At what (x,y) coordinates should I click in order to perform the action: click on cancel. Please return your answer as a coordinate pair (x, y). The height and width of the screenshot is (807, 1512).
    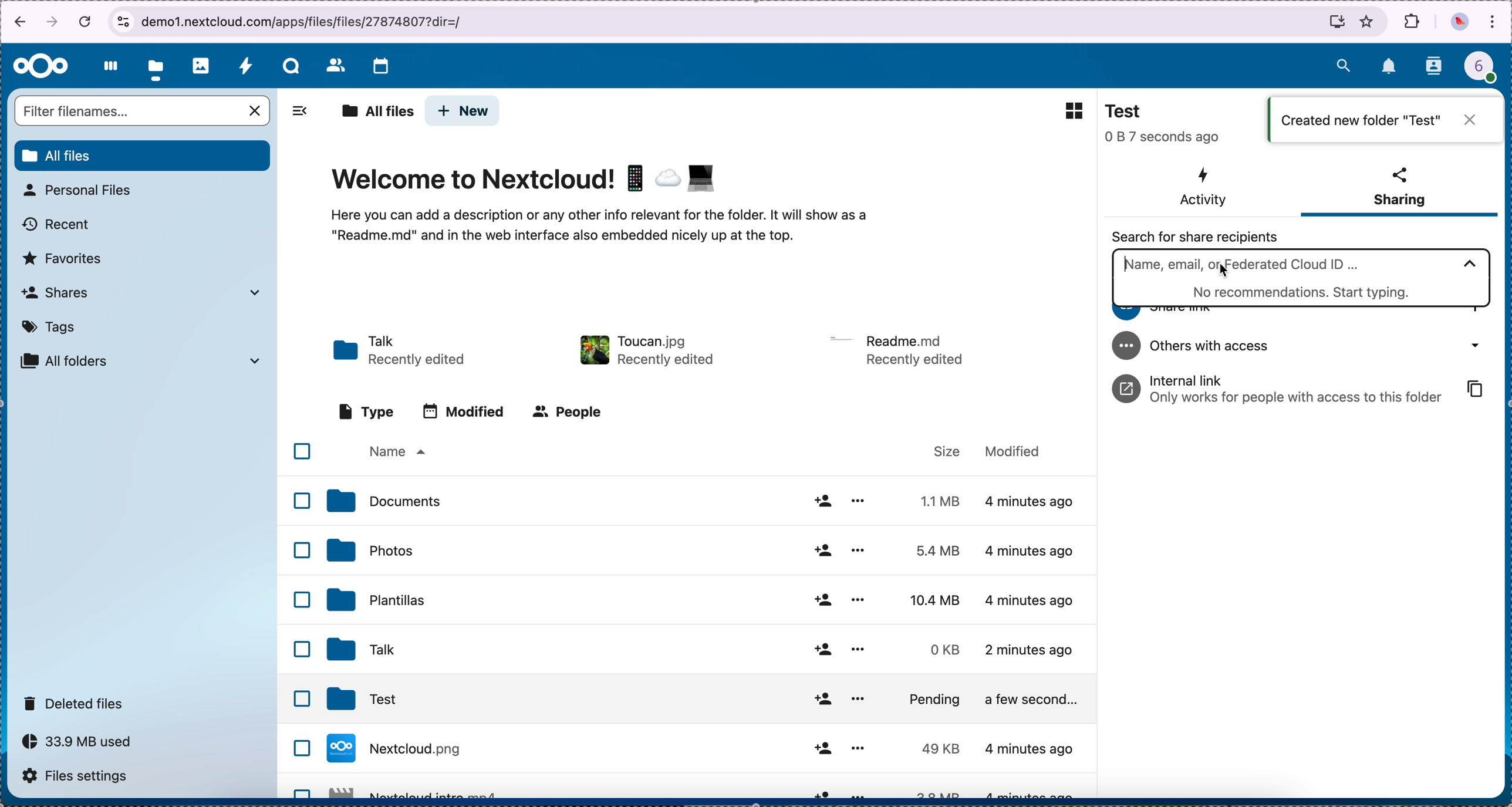
    Looking at the image, I should click on (87, 21).